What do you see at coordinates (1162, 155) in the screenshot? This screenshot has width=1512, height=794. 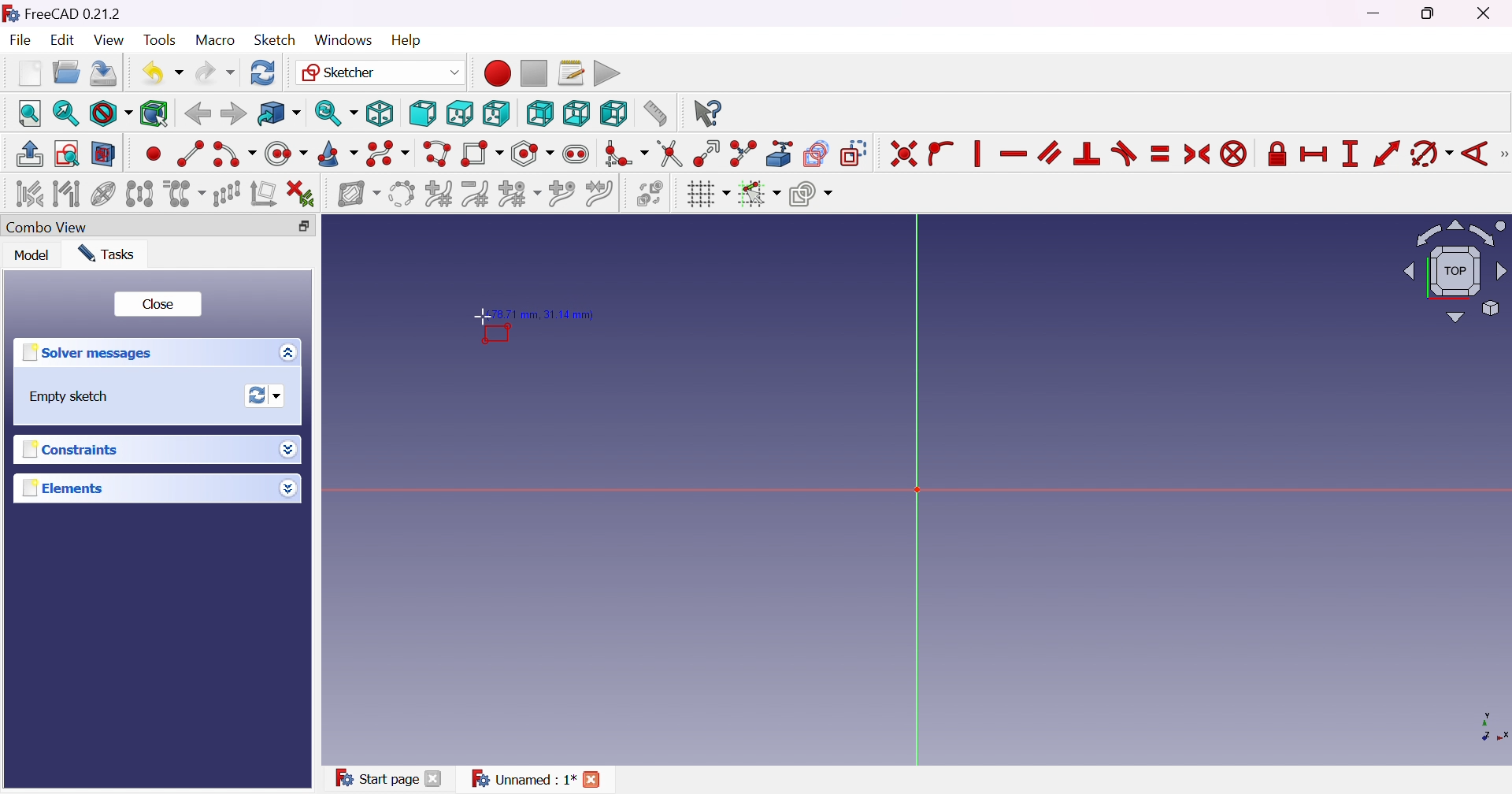 I see `Constrain equal` at bounding box center [1162, 155].